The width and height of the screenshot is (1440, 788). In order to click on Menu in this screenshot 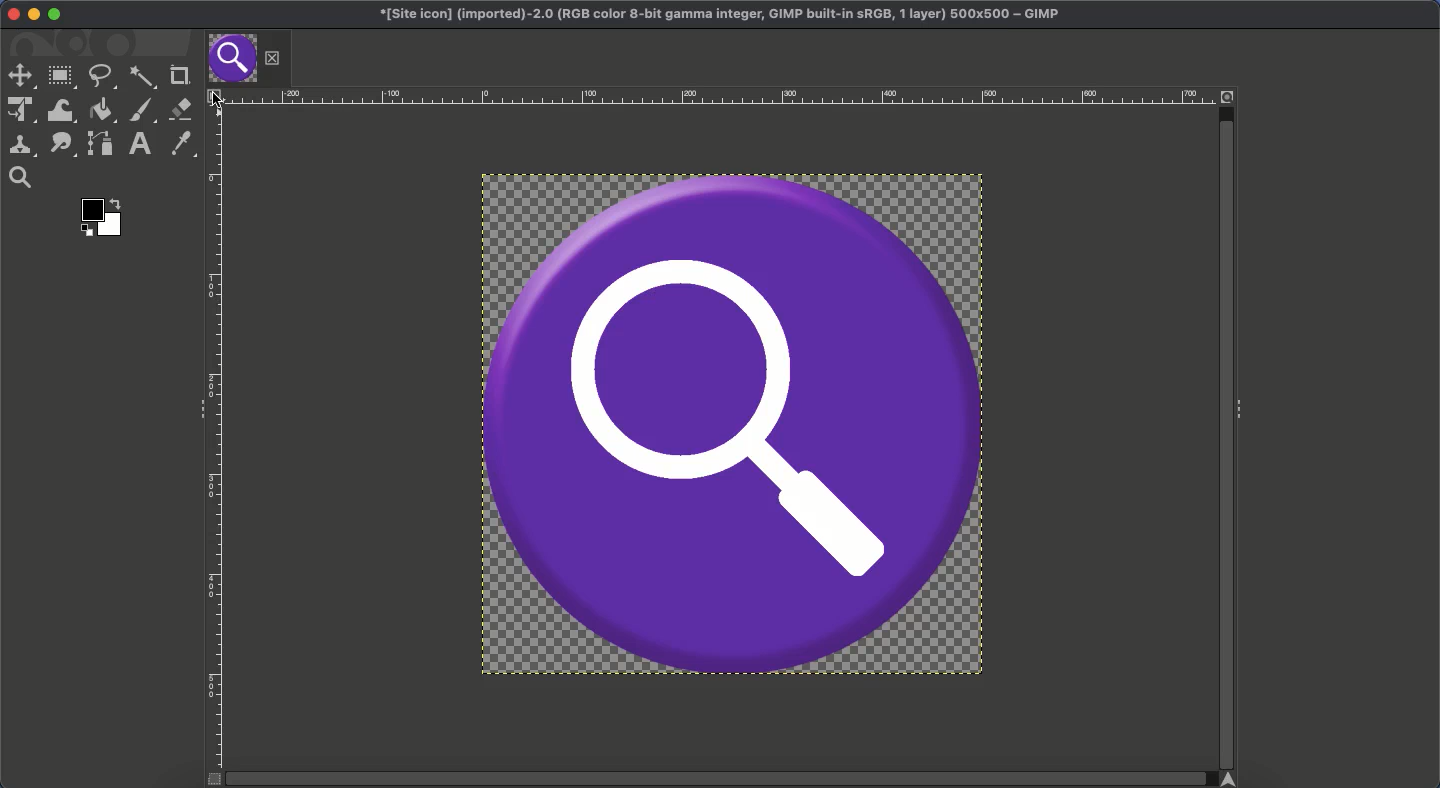, I will do `click(215, 98)`.